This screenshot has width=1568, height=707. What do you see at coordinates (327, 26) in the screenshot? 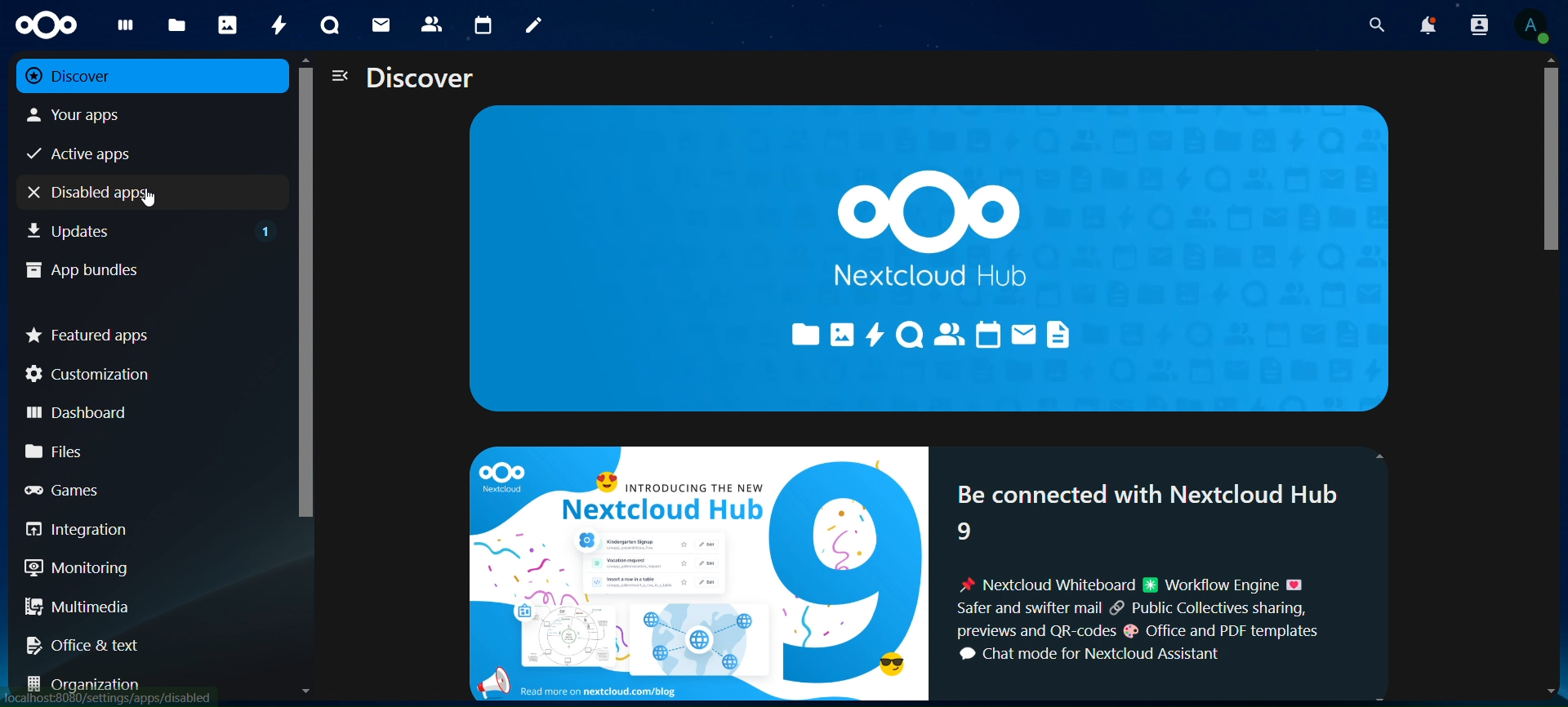
I see `talk` at bounding box center [327, 26].